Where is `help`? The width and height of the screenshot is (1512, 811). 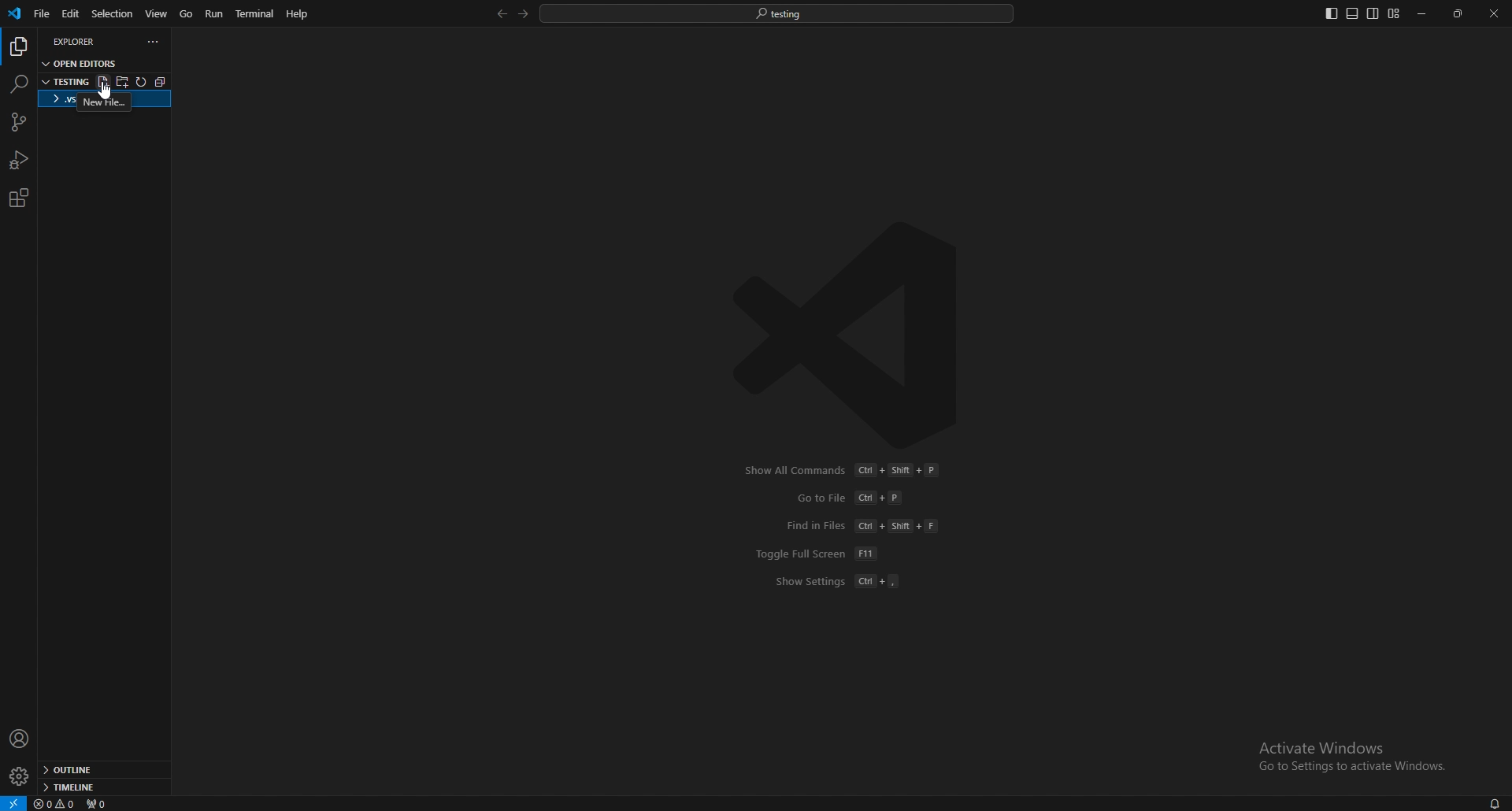 help is located at coordinates (298, 13).